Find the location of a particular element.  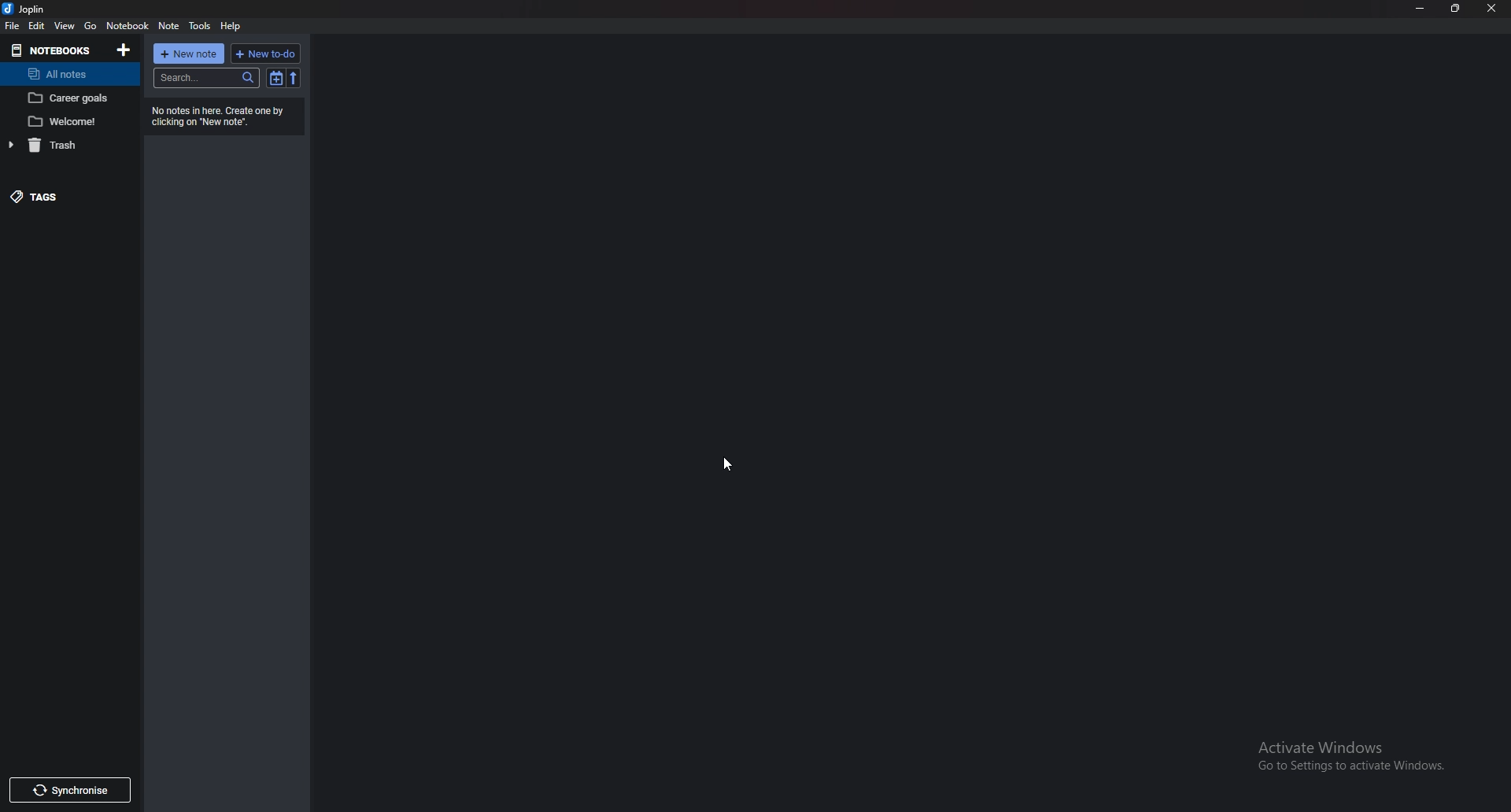

resize is located at coordinates (1455, 8).